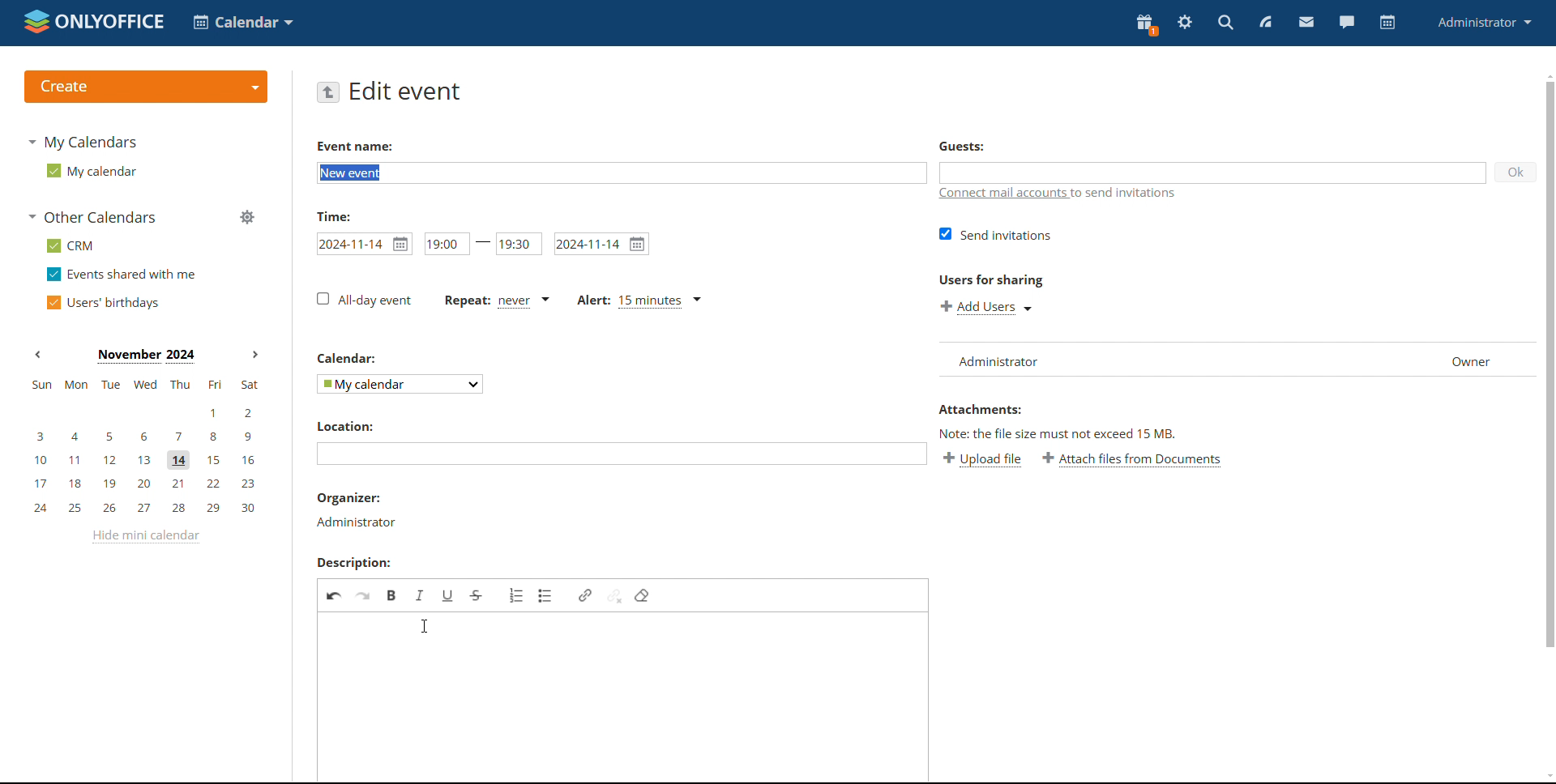  I want to click on location, so click(356, 428).